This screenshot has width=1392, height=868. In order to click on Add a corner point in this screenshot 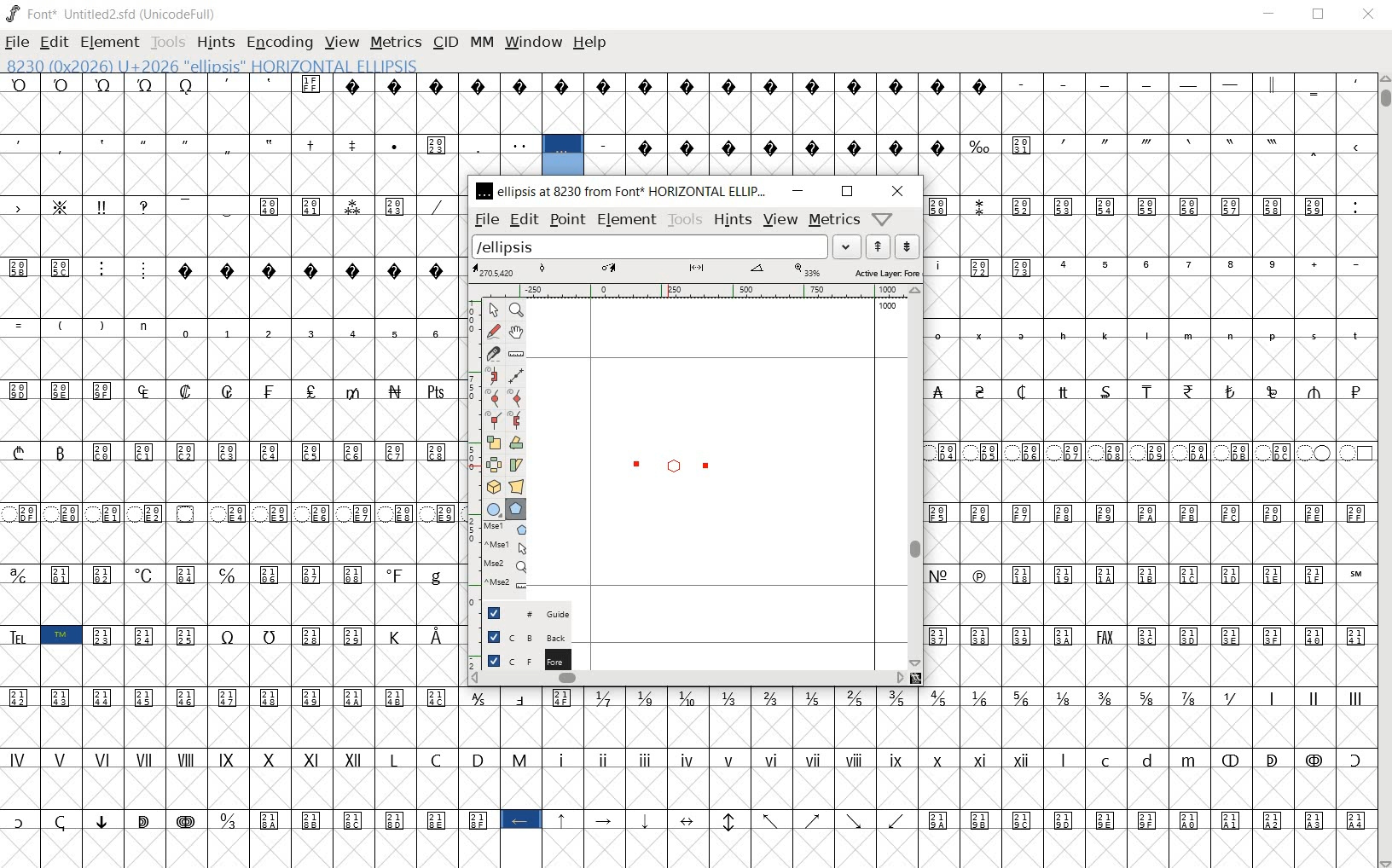, I will do `click(516, 420)`.